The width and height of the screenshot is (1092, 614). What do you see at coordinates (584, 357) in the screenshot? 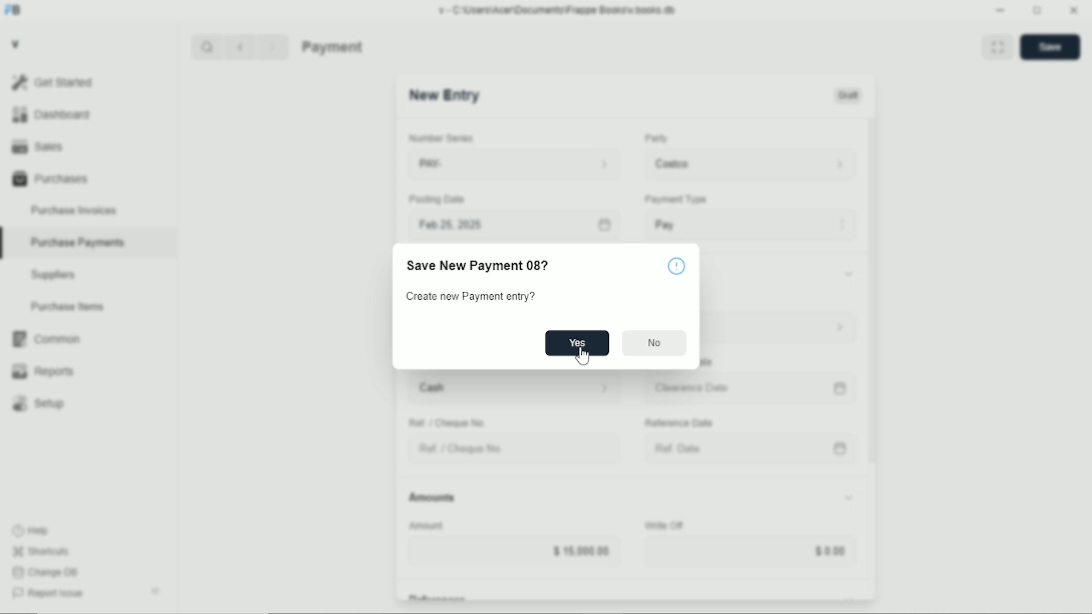
I see `cursor` at bounding box center [584, 357].